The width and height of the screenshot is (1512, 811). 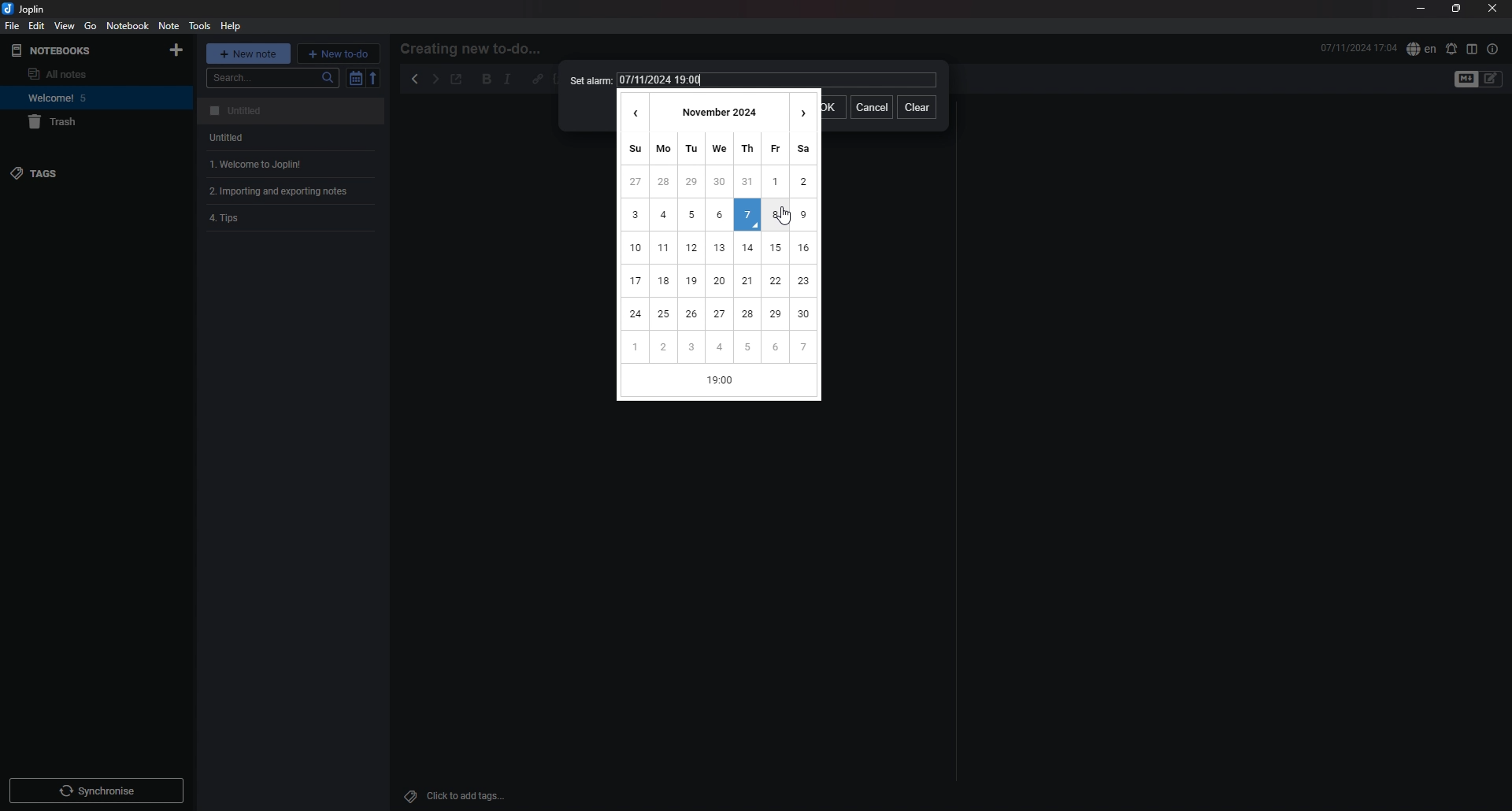 I want to click on toggle sort order, so click(x=354, y=78).